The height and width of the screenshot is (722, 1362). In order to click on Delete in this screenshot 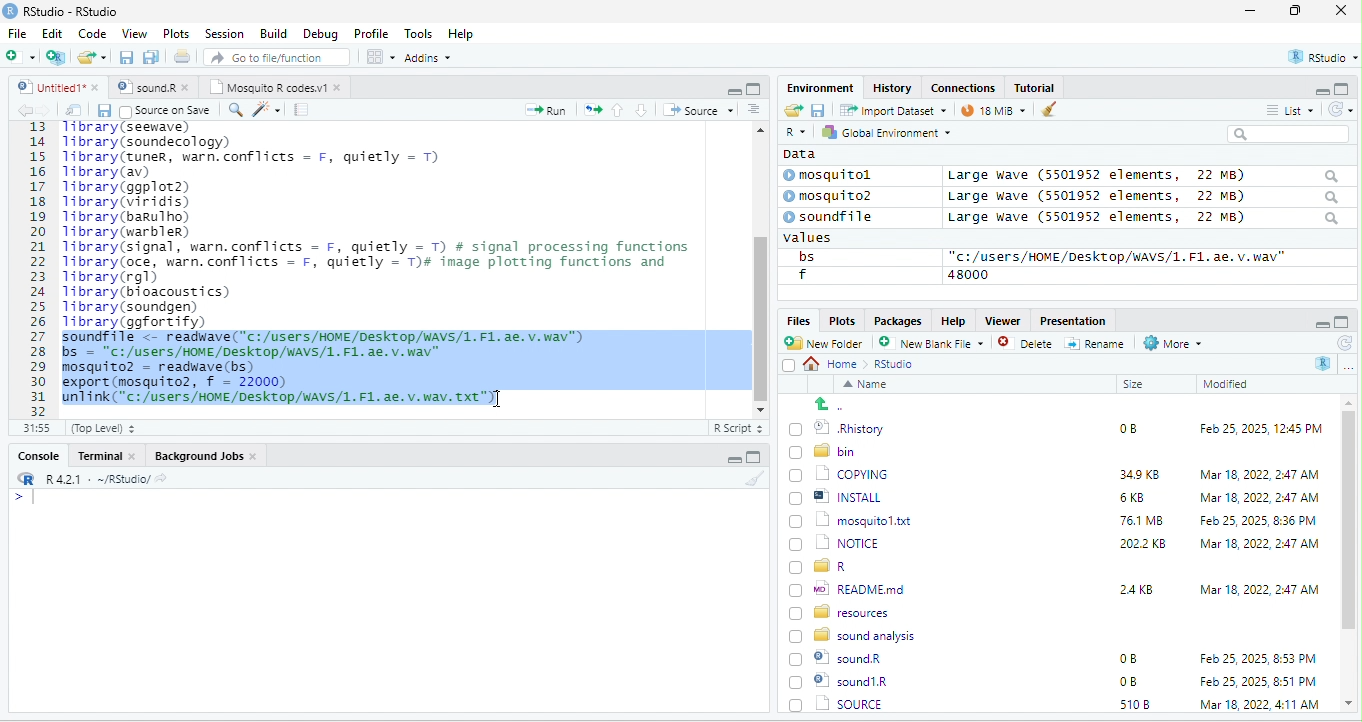, I will do `click(1028, 344)`.